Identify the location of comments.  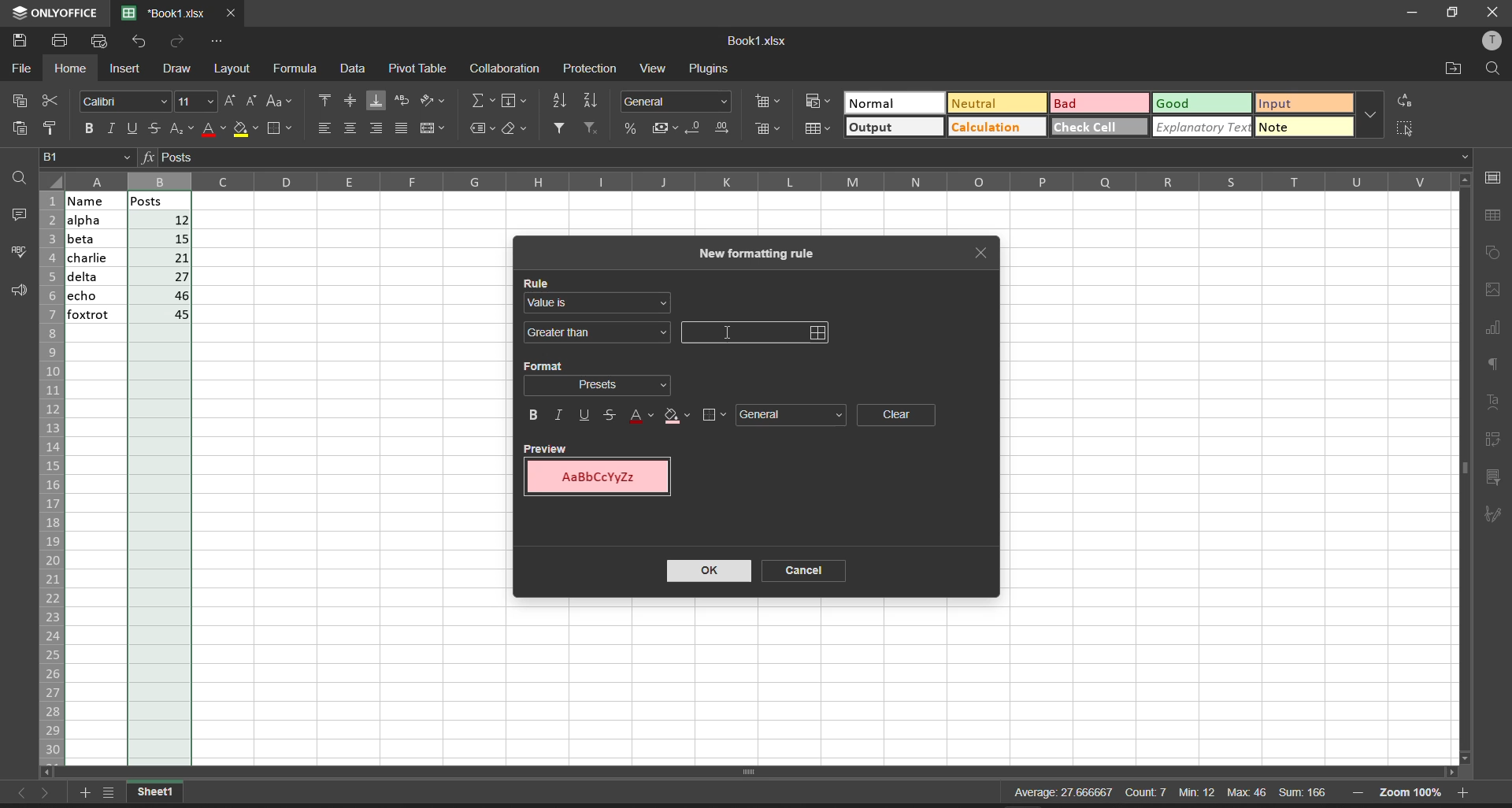
(19, 218).